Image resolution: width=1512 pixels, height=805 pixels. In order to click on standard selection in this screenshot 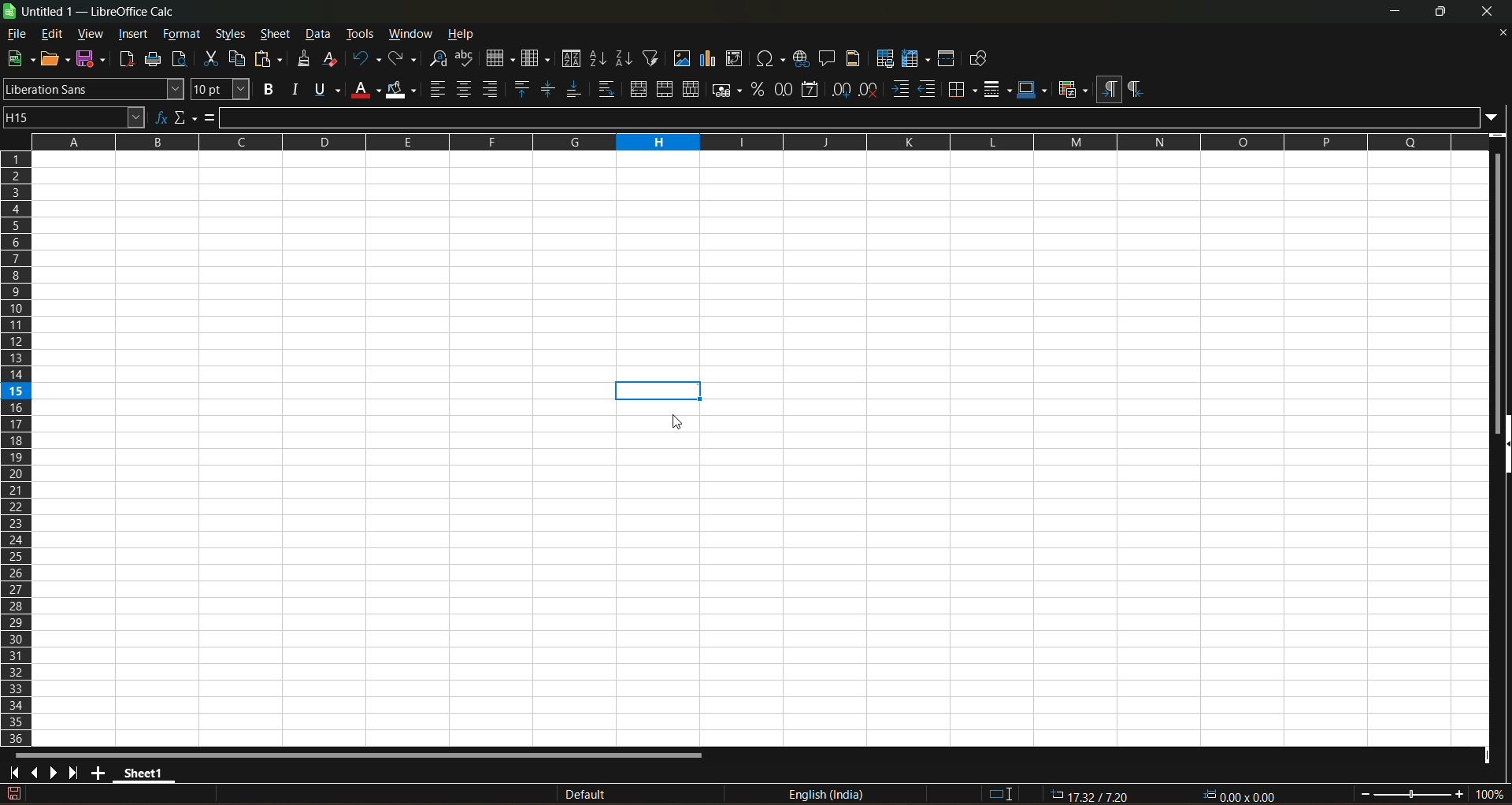, I will do `click(1010, 792)`.